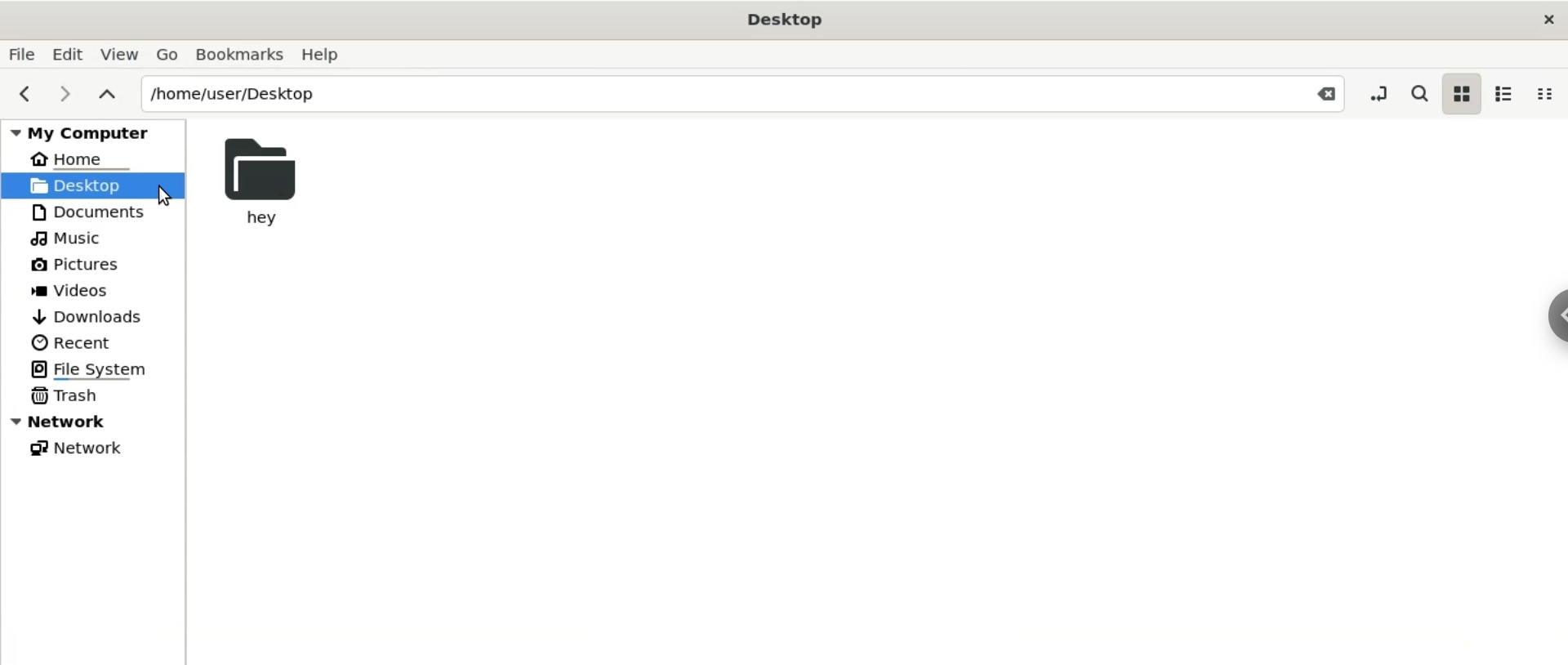 The height and width of the screenshot is (665, 1568). What do you see at coordinates (96, 211) in the screenshot?
I see `Documents` at bounding box center [96, 211].